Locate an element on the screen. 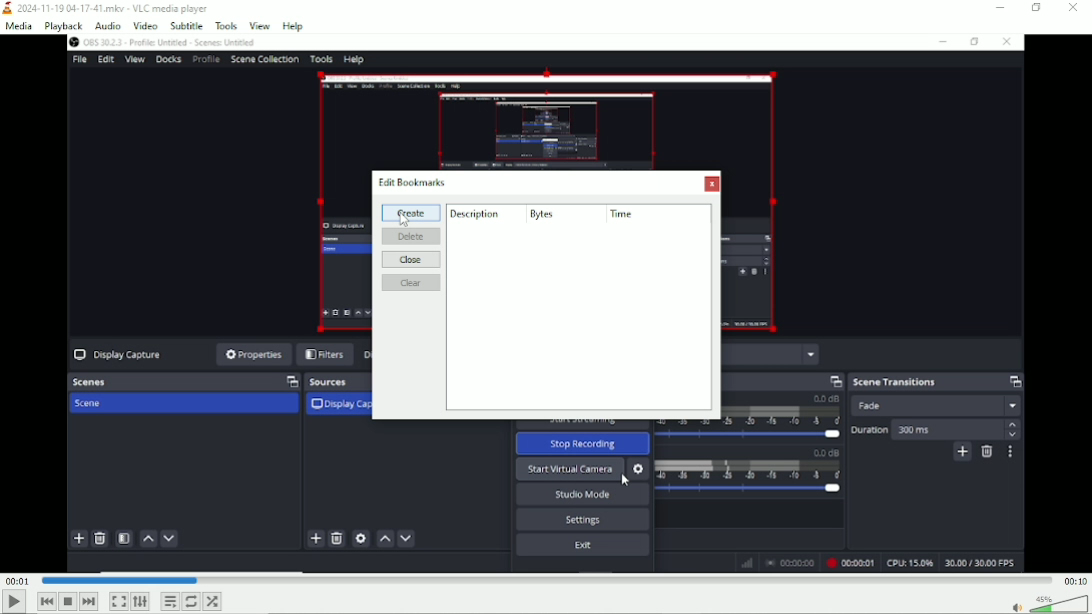 The height and width of the screenshot is (614, 1092). Audio is located at coordinates (106, 25).